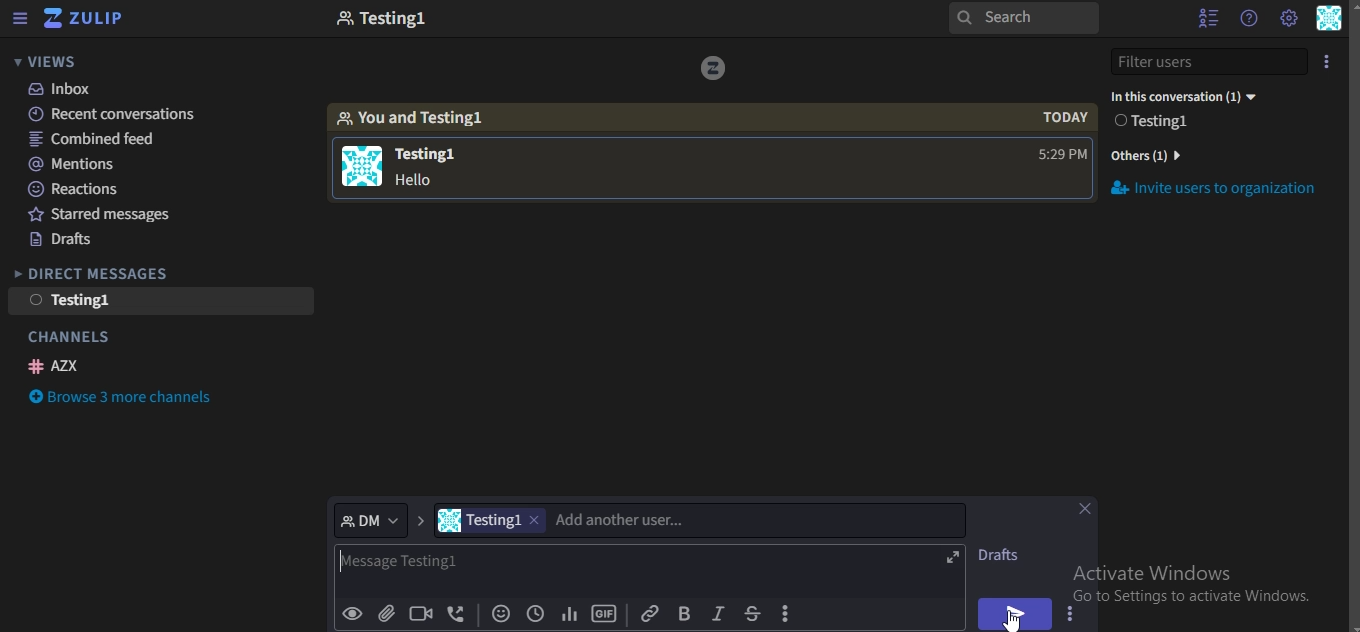  What do you see at coordinates (1203, 18) in the screenshot?
I see `hide userlist` at bounding box center [1203, 18].